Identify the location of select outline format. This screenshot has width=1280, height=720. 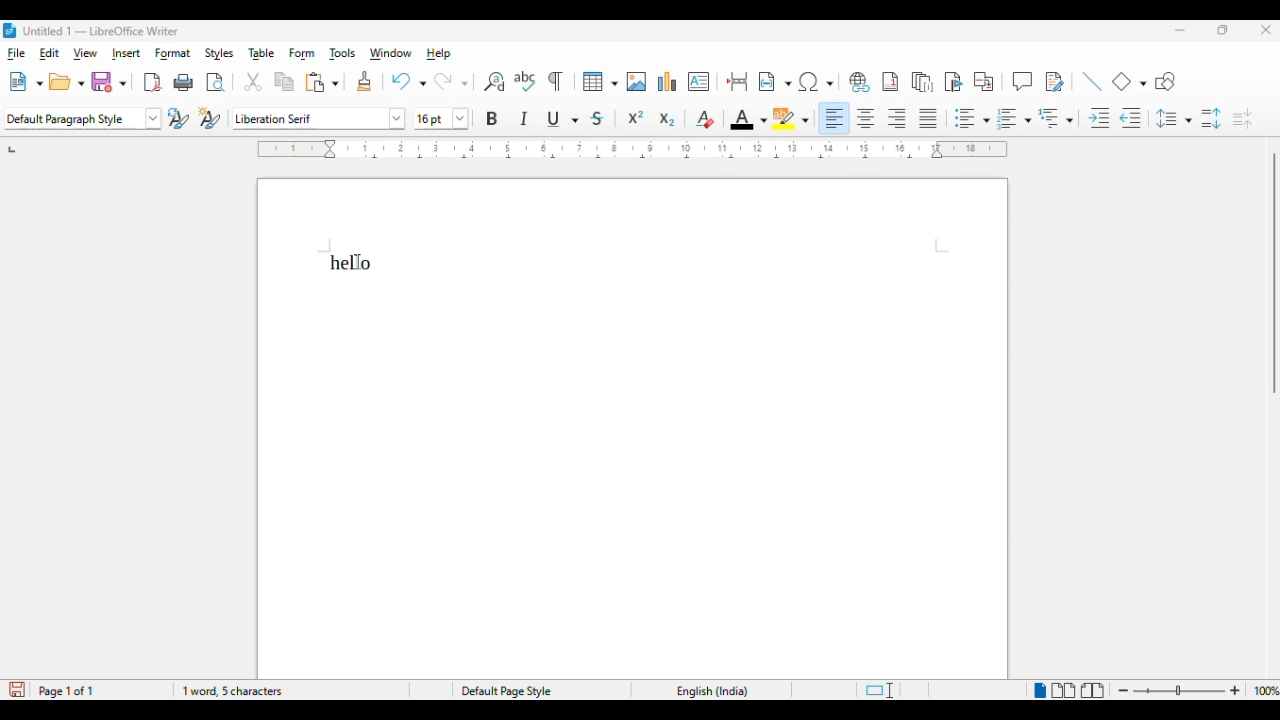
(1056, 118).